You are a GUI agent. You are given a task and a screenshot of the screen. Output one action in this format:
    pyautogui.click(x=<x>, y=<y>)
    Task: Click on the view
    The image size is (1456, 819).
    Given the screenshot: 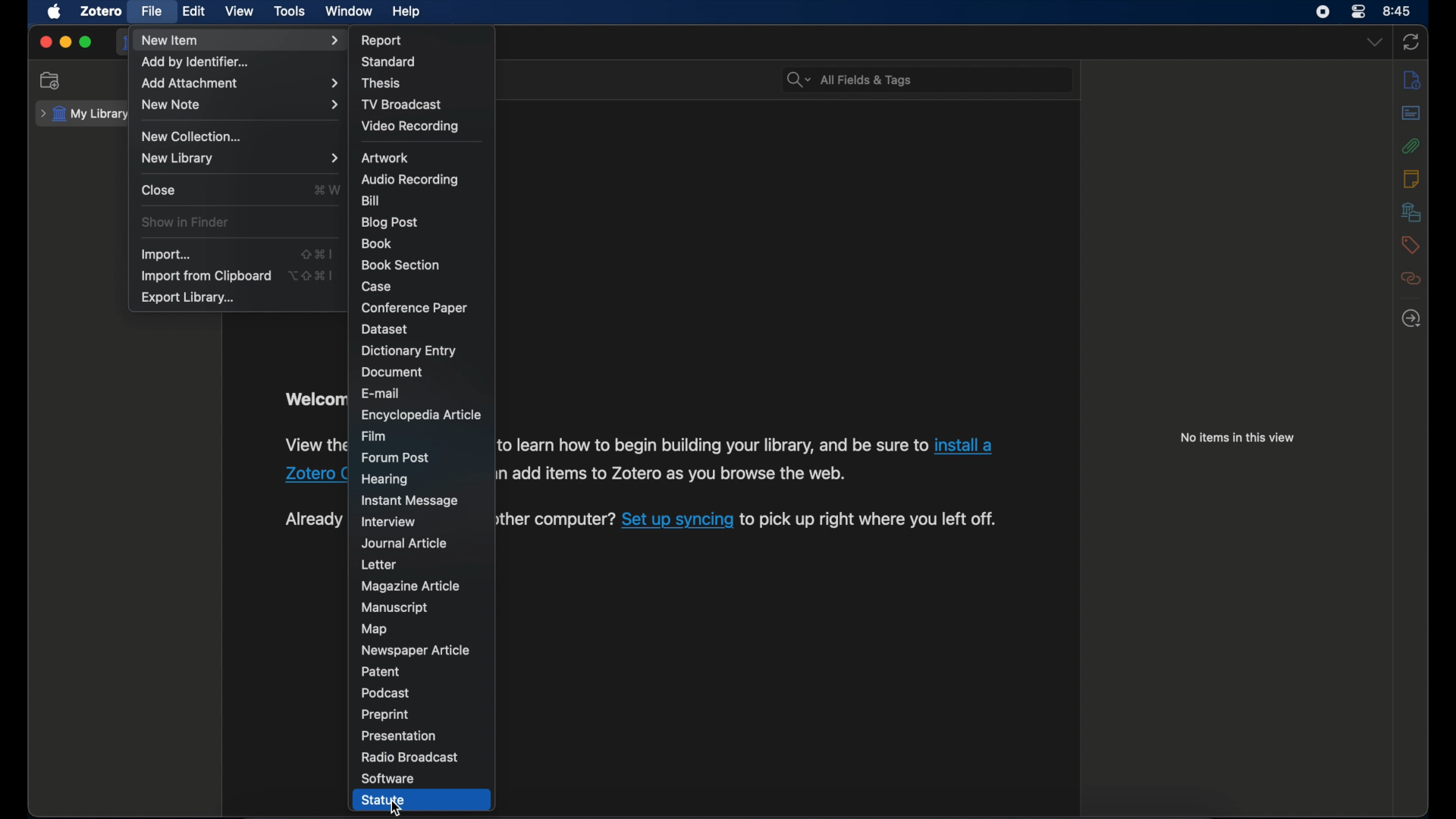 What is the action you would take?
    pyautogui.click(x=240, y=11)
    